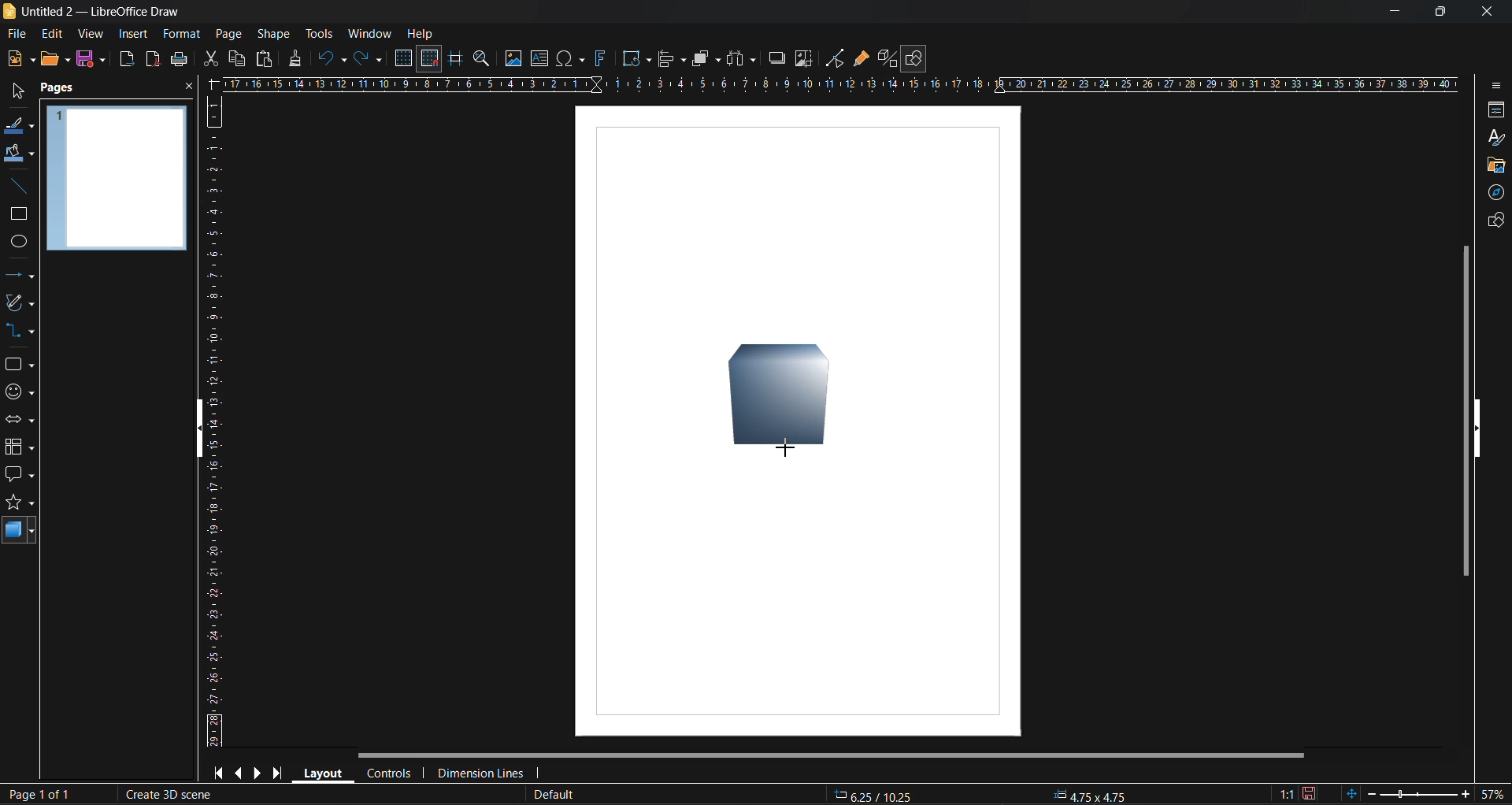  What do you see at coordinates (430, 59) in the screenshot?
I see `snap to grid` at bounding box center [430, 59].